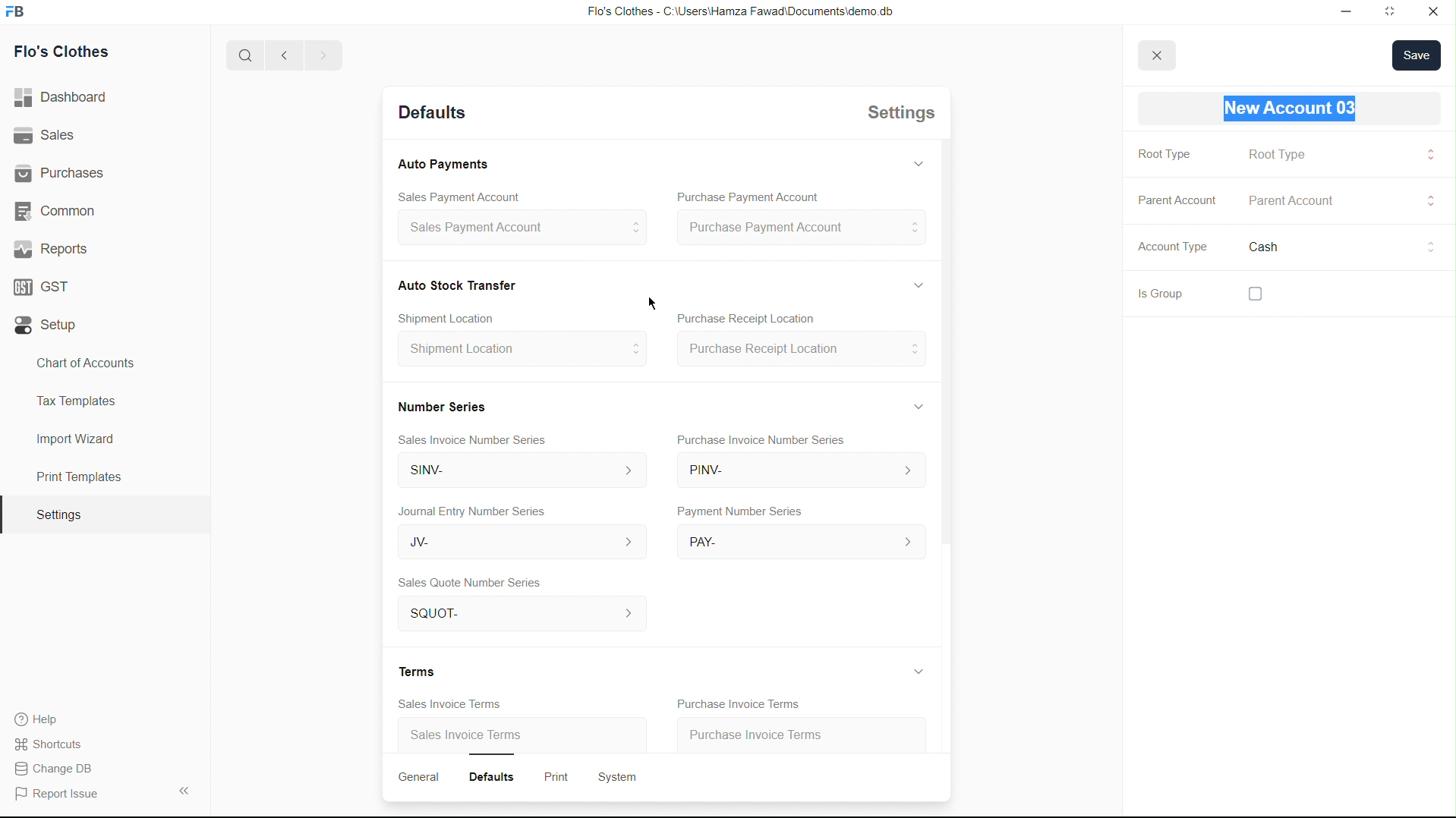 This screenshot has width=1456, height=818. What do you see at coordinates (68, 54) in the screenshot?
I see `Flo's Clothes` at bounding box center [68, 54].